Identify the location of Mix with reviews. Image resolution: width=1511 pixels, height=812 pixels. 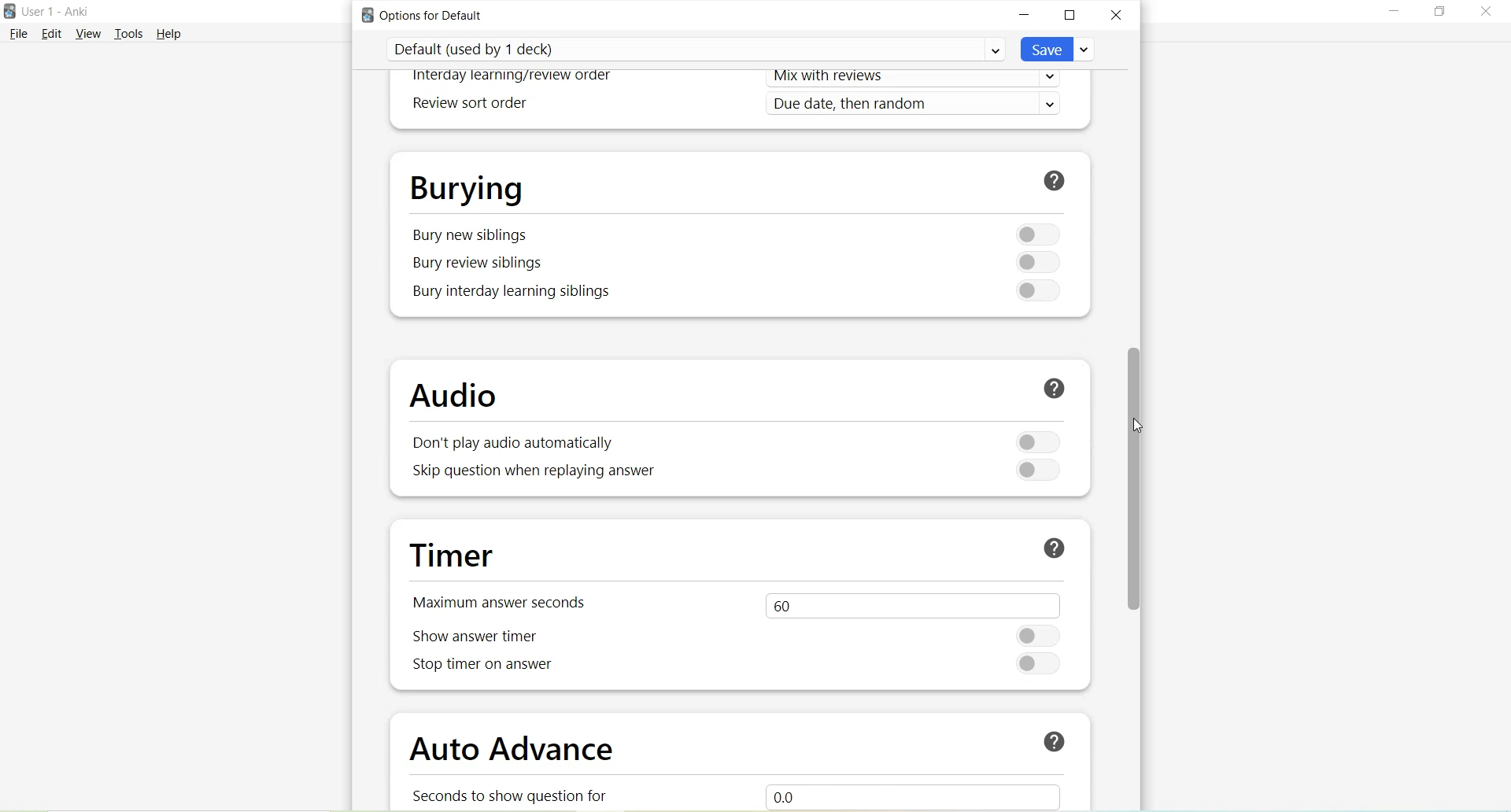
(919, 79).